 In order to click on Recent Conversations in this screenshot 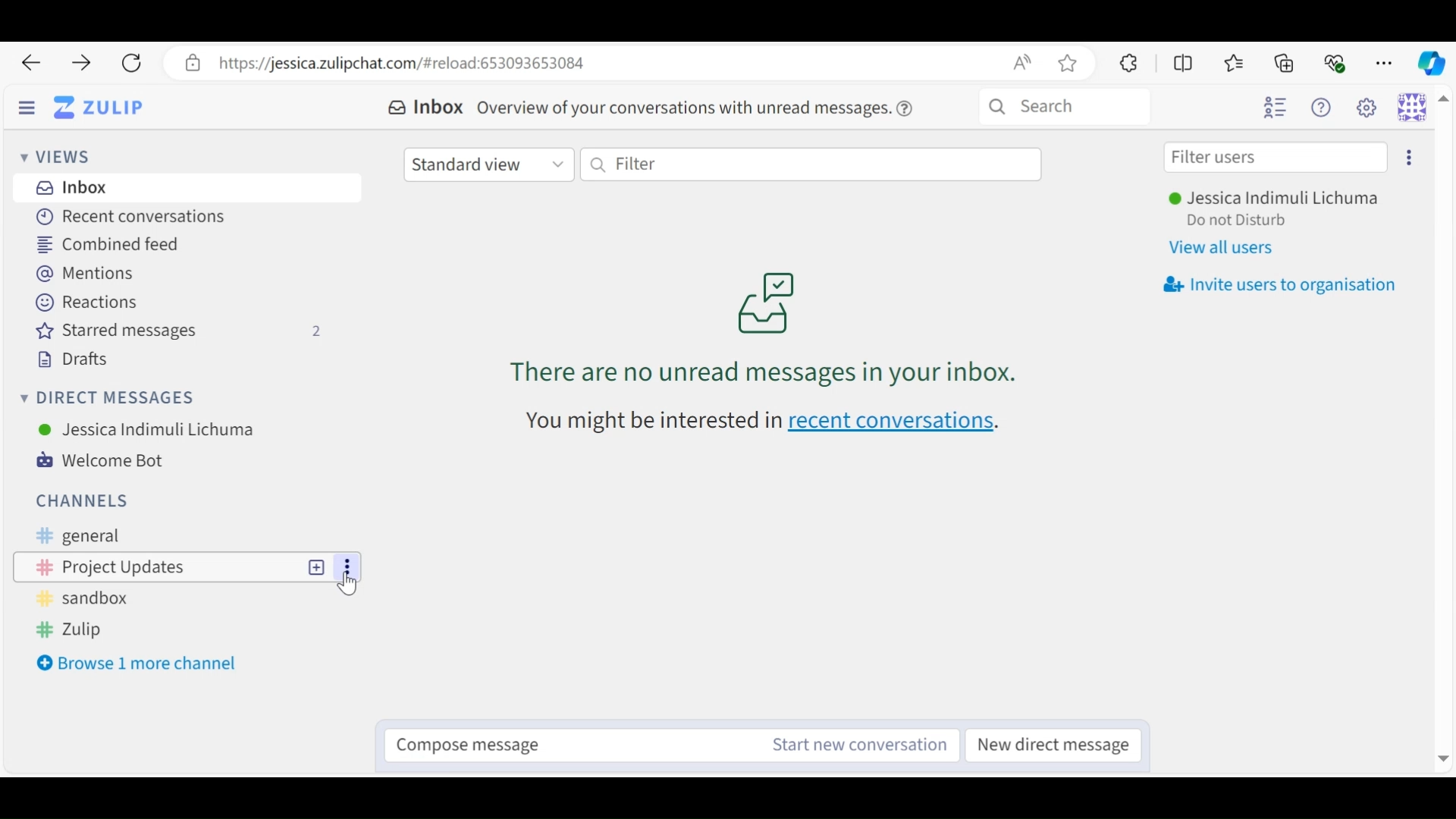, I will do `click(126, 218)`.